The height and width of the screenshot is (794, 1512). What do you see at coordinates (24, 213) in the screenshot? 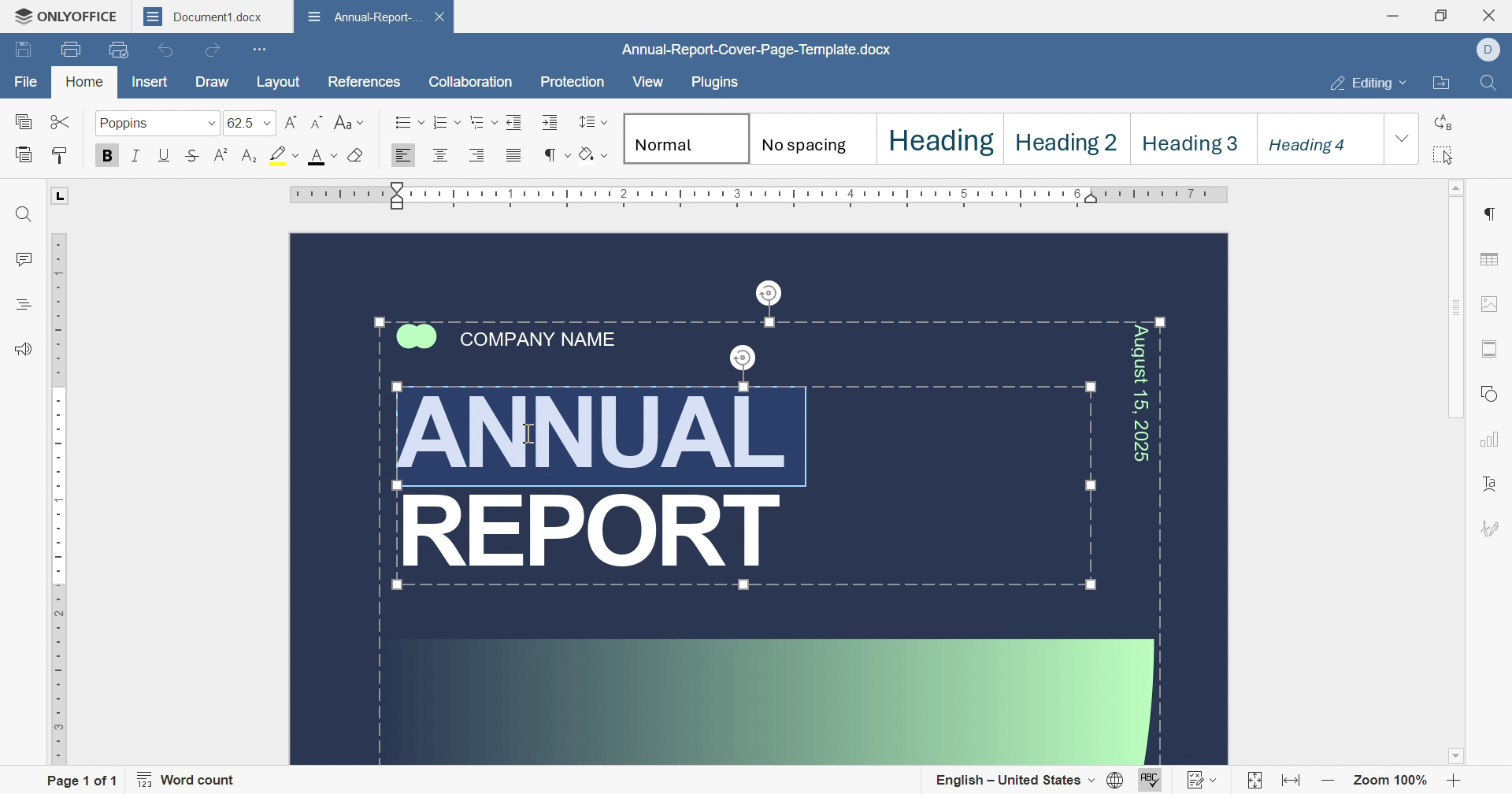
I see `find` at bounding box center [24, 213].